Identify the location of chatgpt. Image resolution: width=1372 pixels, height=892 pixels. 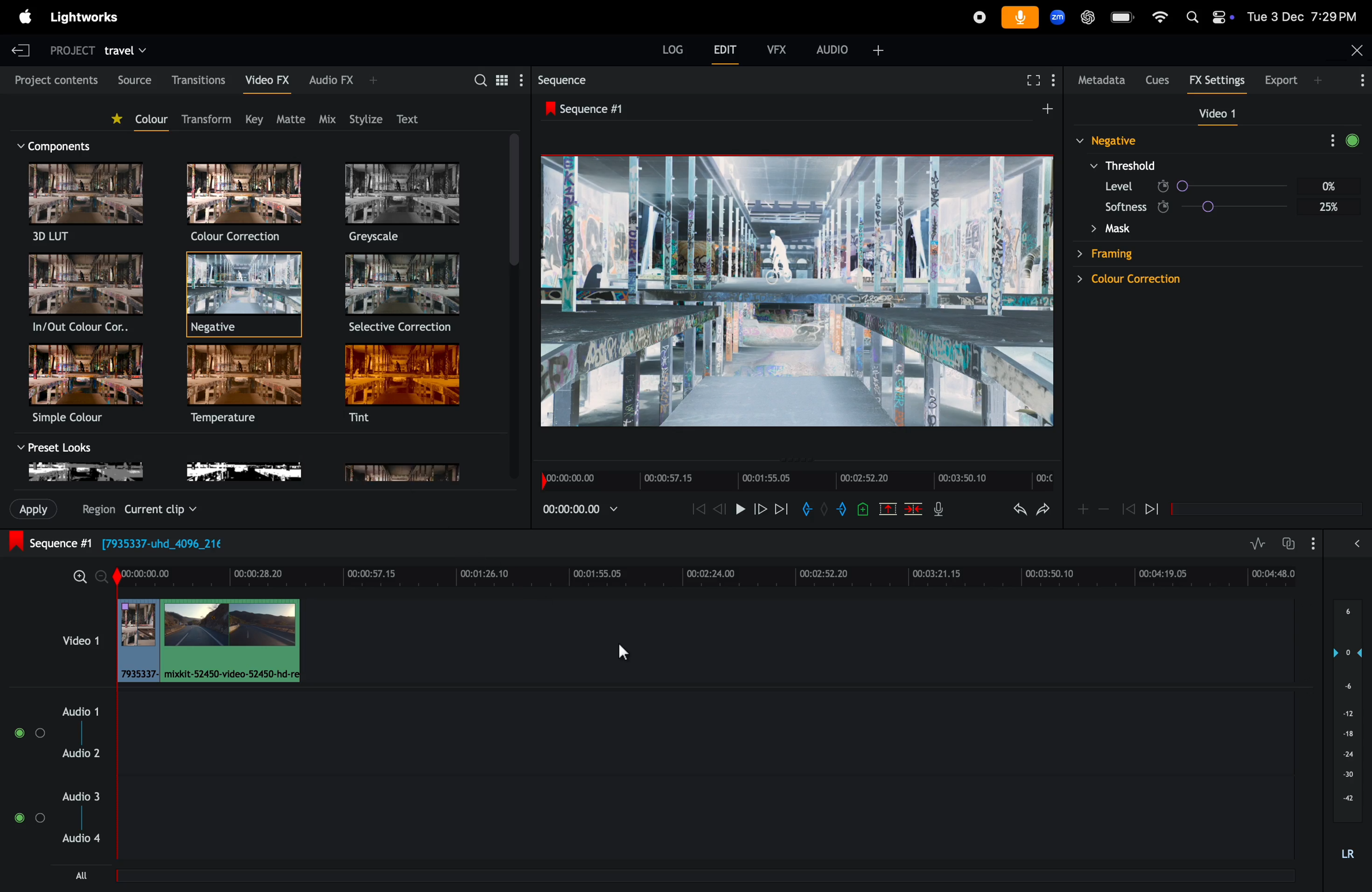
(1088, 18).